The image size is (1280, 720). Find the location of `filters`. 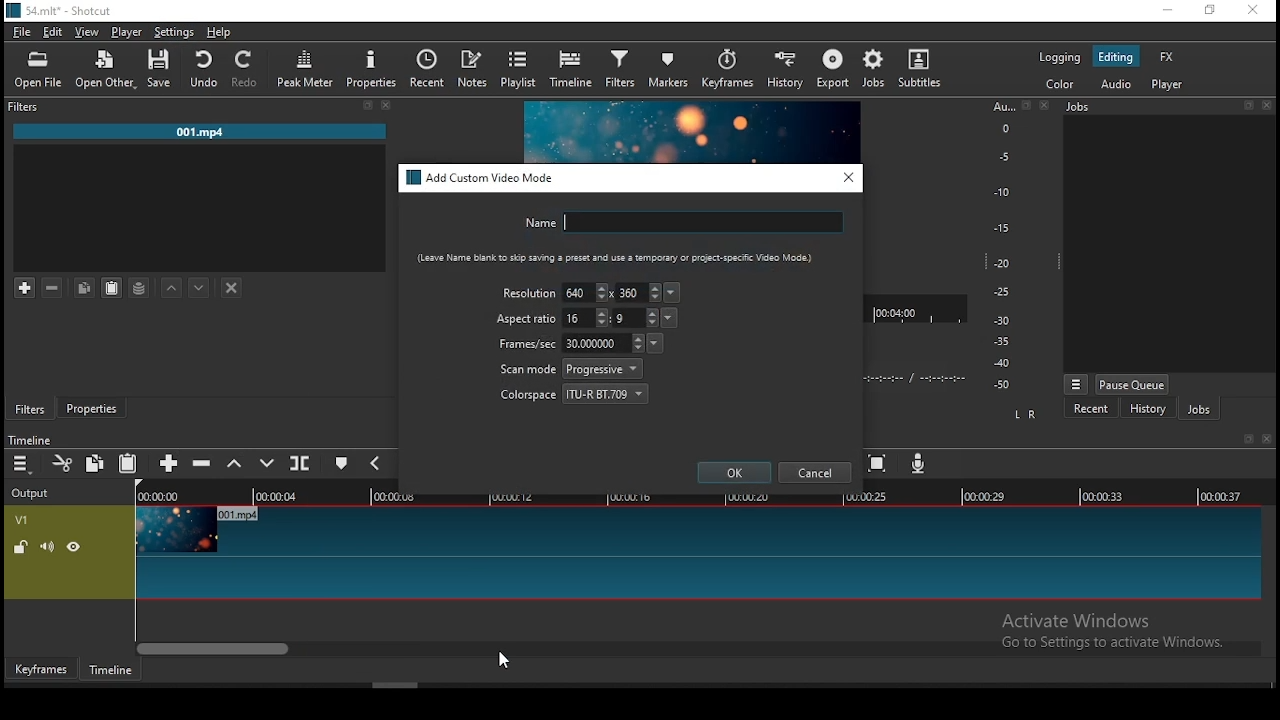

filters is located at coordinates (30, 409).